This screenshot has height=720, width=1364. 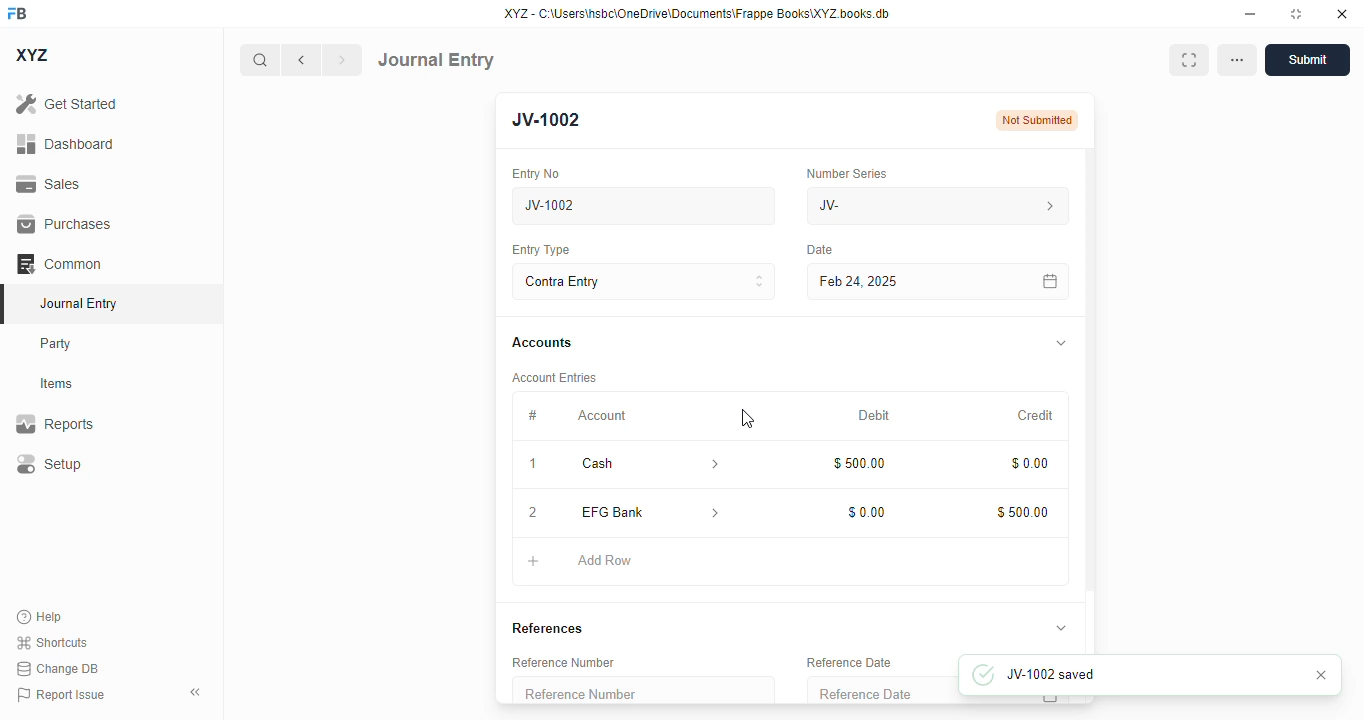 I want to click on date, so click(x=820, y=250).